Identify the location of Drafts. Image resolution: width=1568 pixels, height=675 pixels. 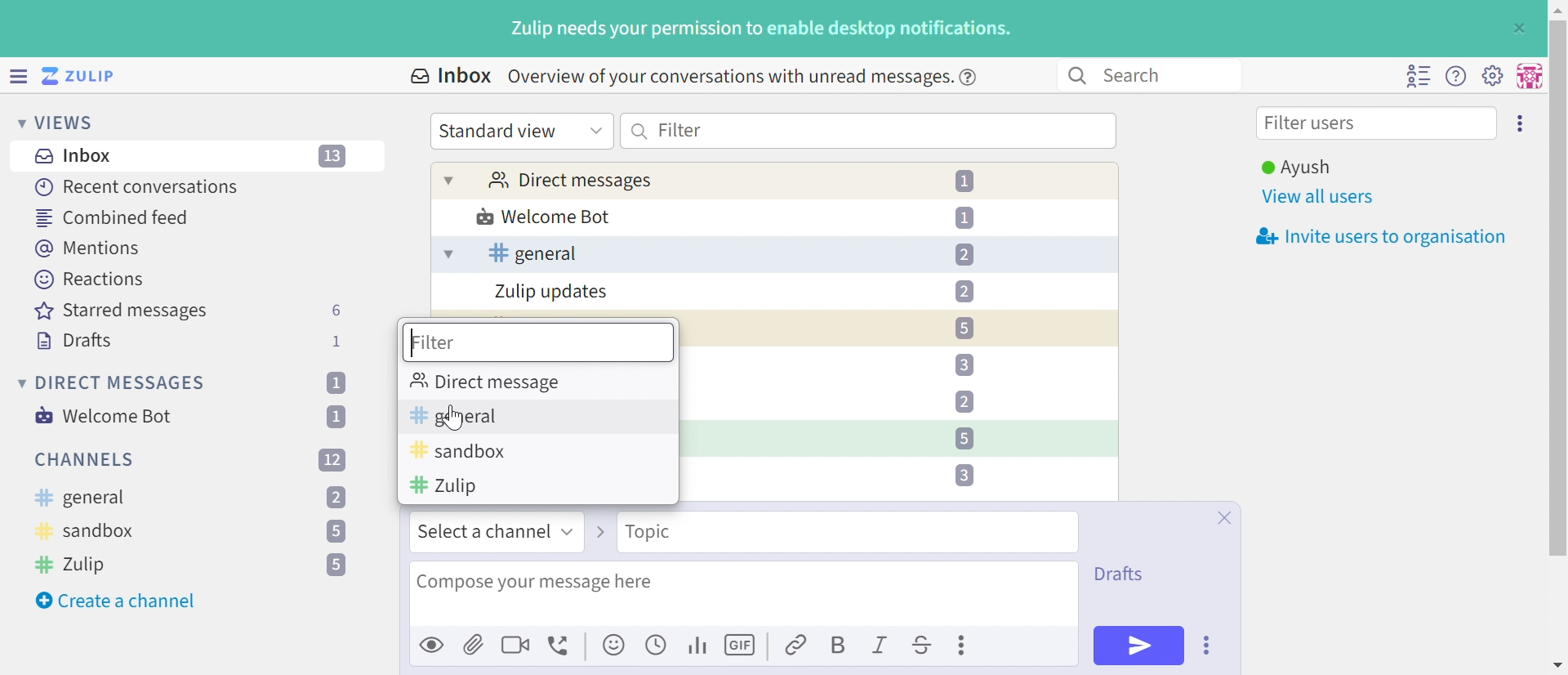
(74, 342).